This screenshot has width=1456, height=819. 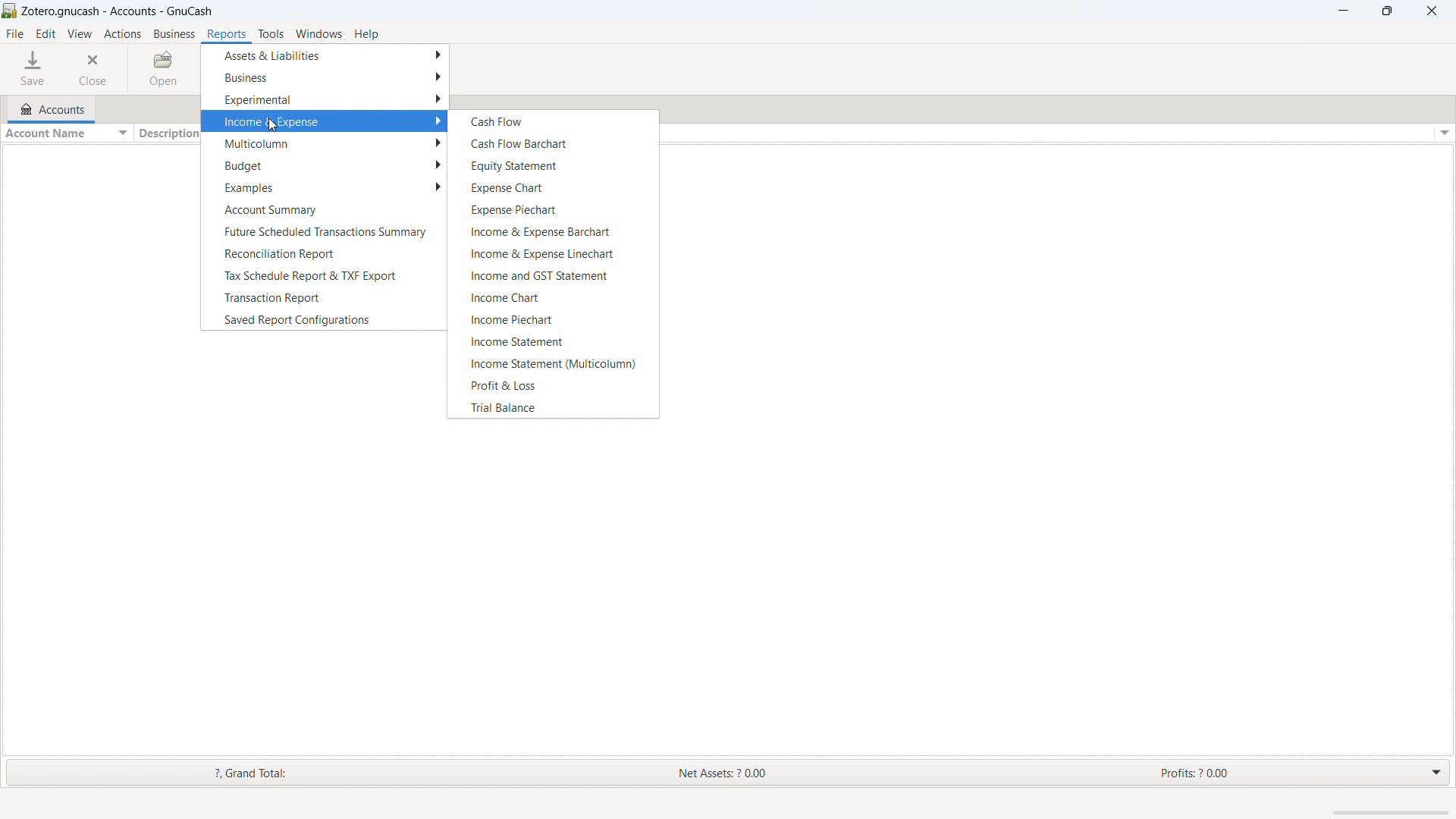 I want to click on grand total, so click(x=234, y=773).